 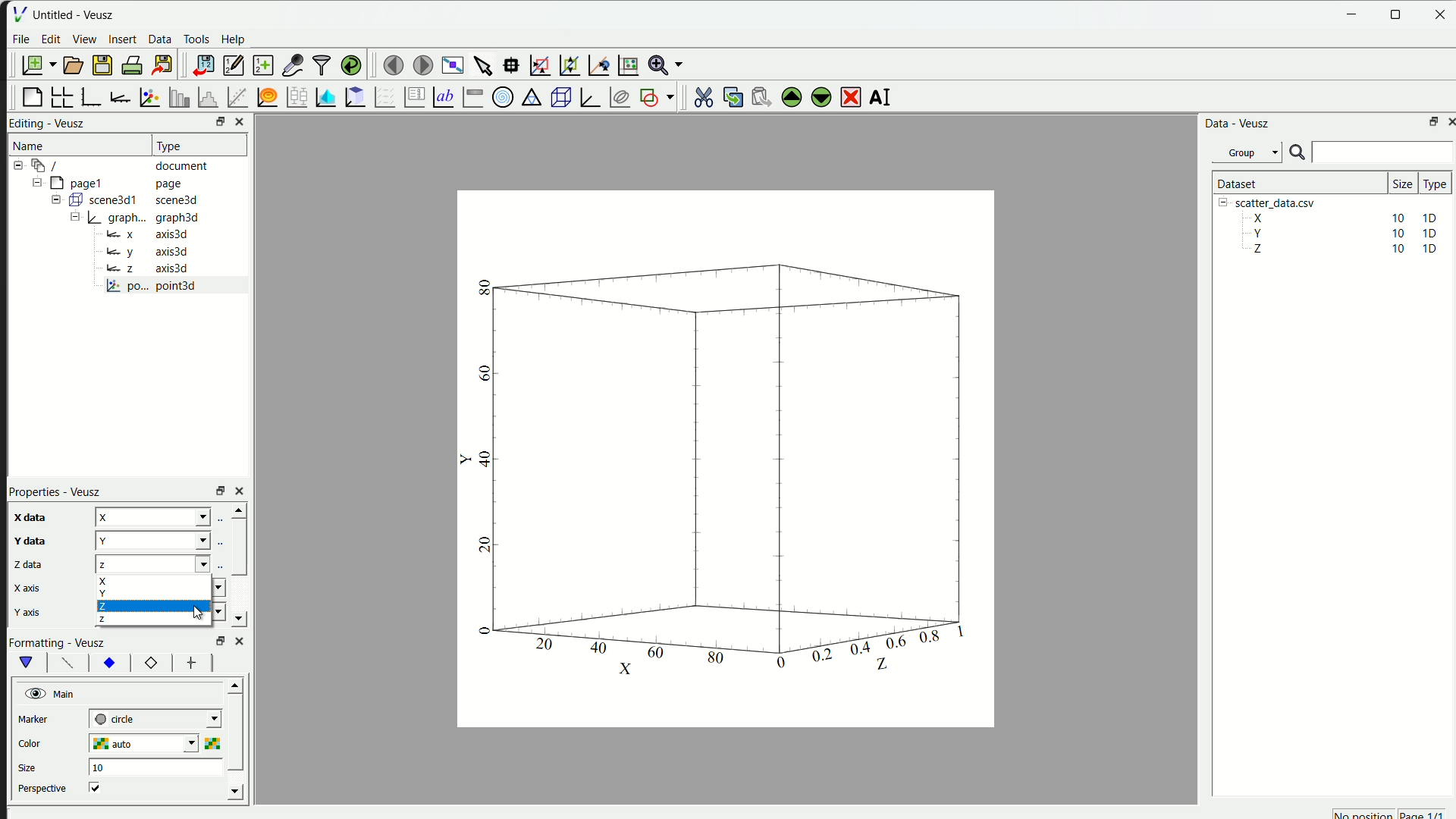 I want to click on plot covariance ellipses, so click(x=617, y=96).